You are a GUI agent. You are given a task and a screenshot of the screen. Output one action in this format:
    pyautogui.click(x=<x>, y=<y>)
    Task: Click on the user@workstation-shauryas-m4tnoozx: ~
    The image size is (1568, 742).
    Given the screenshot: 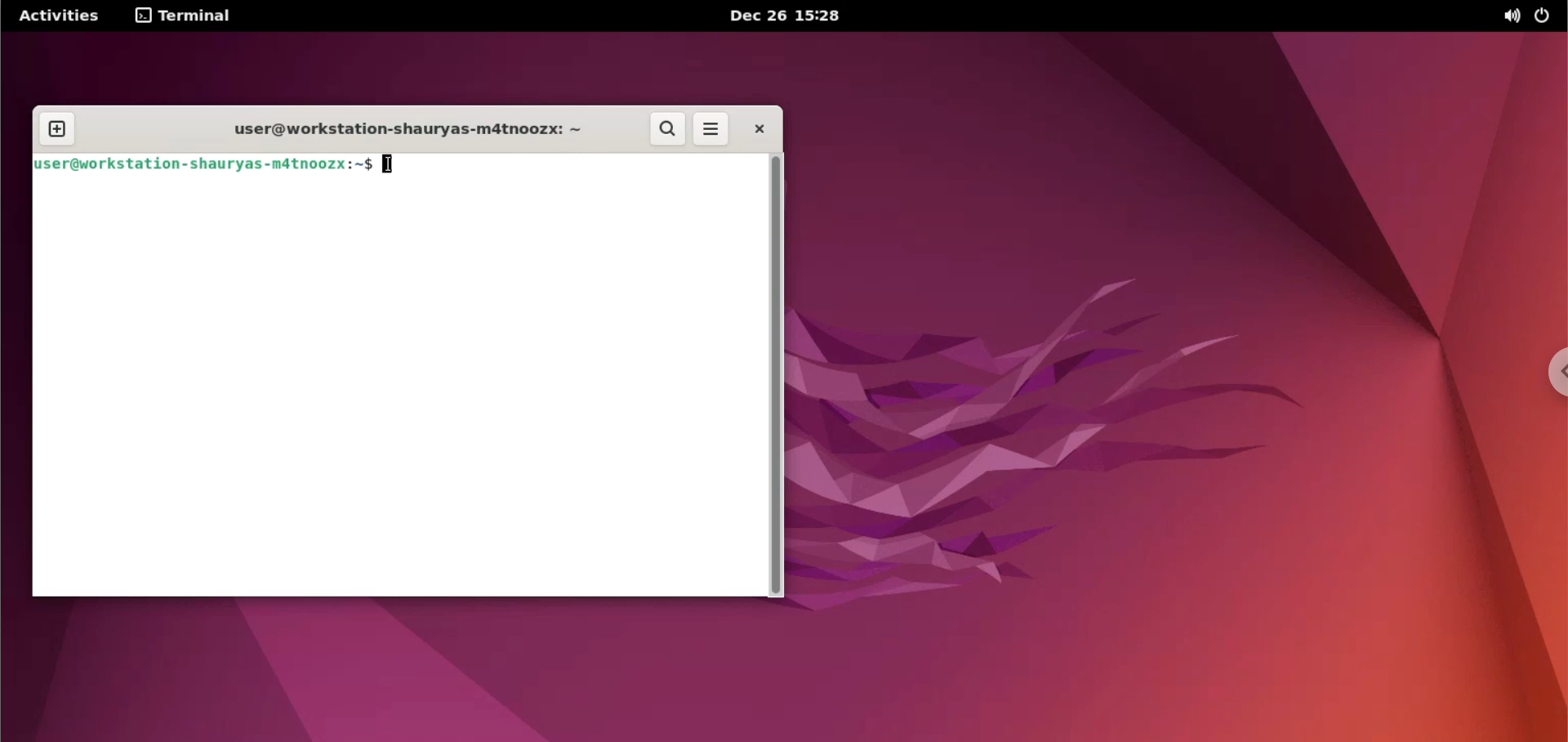 What is the action you would take?
    pyautogui.click(x=401, y=130)
    